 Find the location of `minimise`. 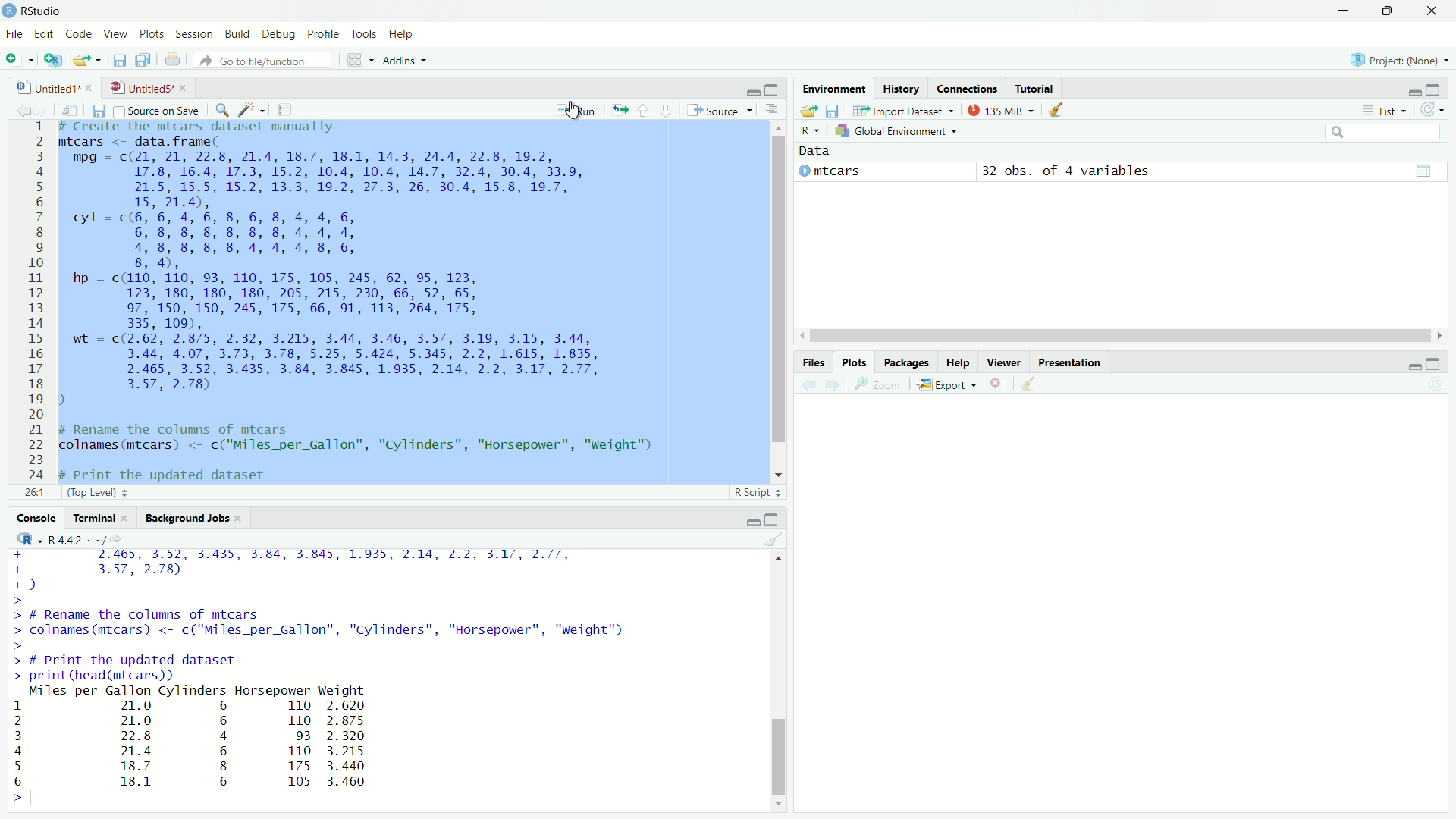

minimise is located at coordinates (1404, 366).